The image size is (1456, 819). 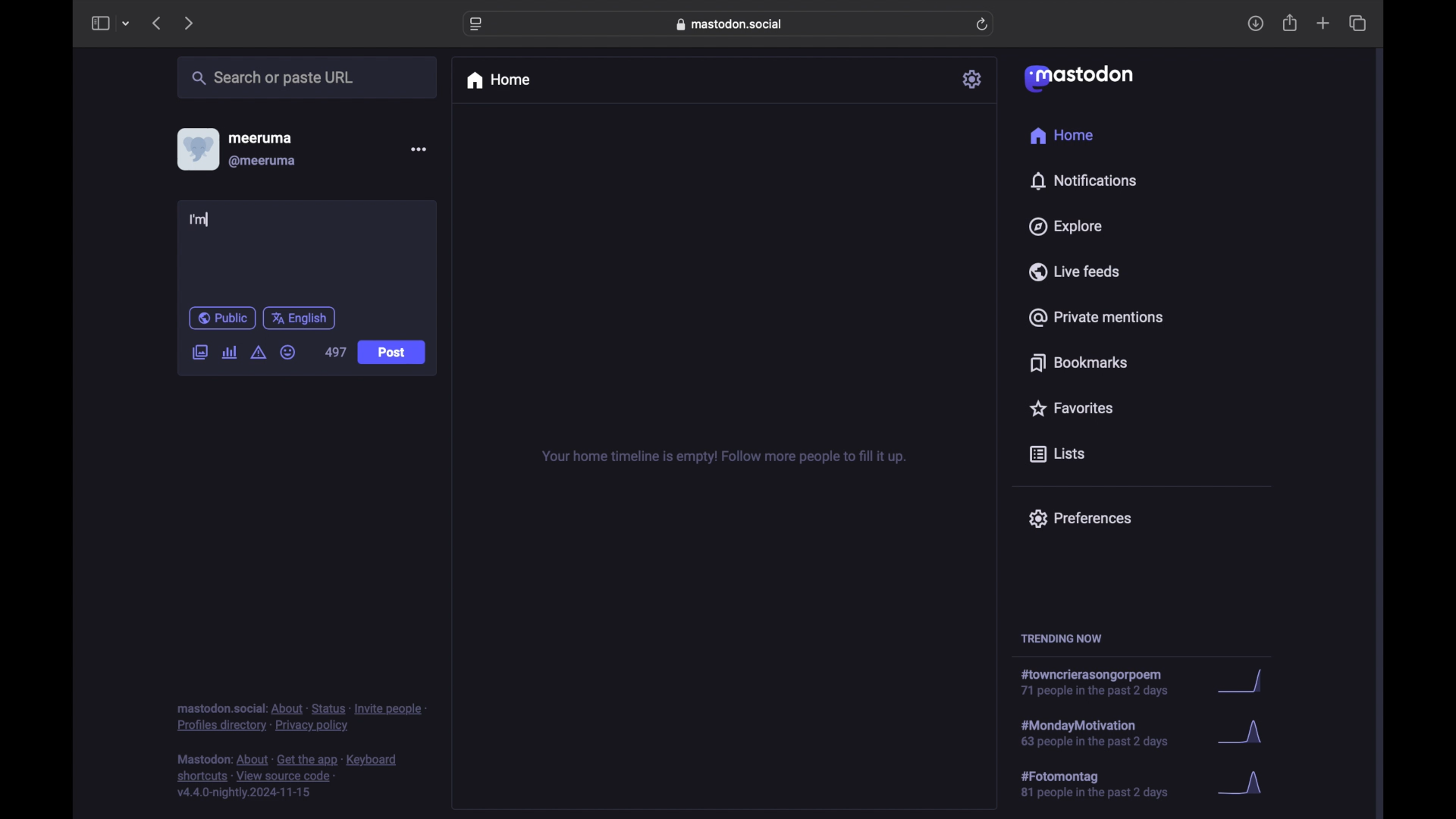 What do you see at coordinates (1083, 181) in the screenshot?
I see `notifications` at bounding box center [1083, 181].